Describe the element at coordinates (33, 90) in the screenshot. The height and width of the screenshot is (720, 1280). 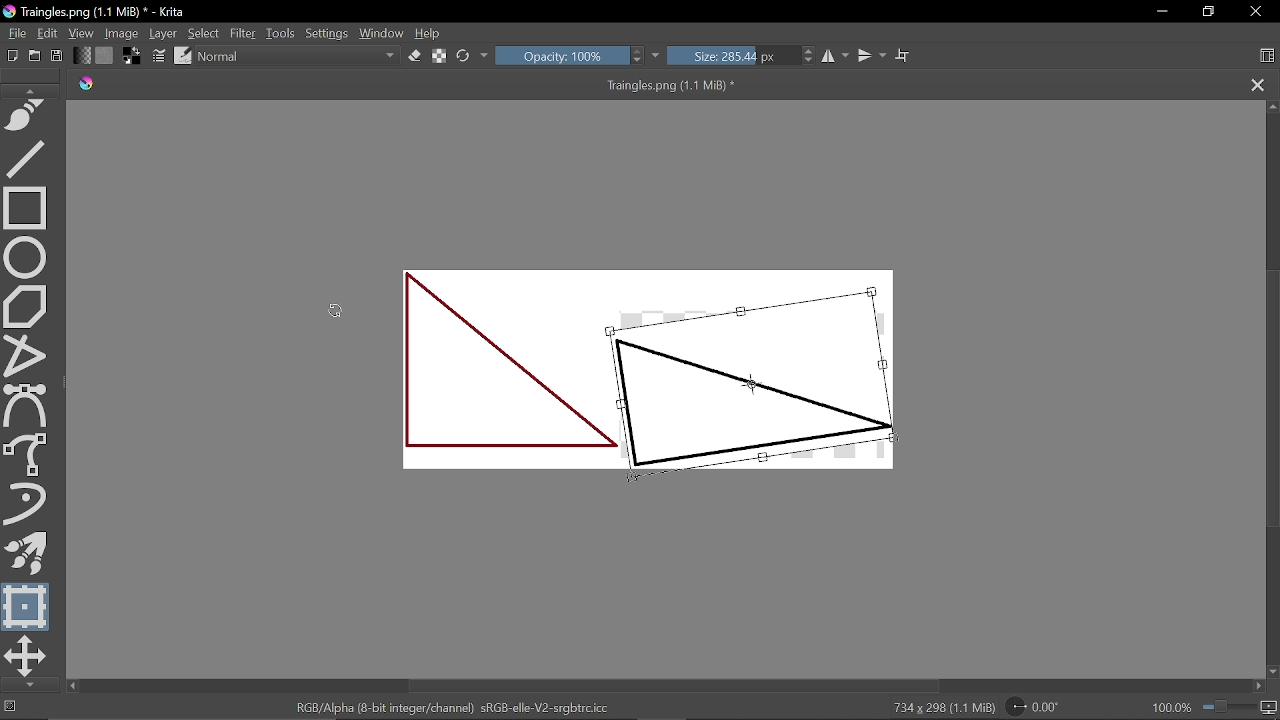
I see `Move up in tools` at that location.